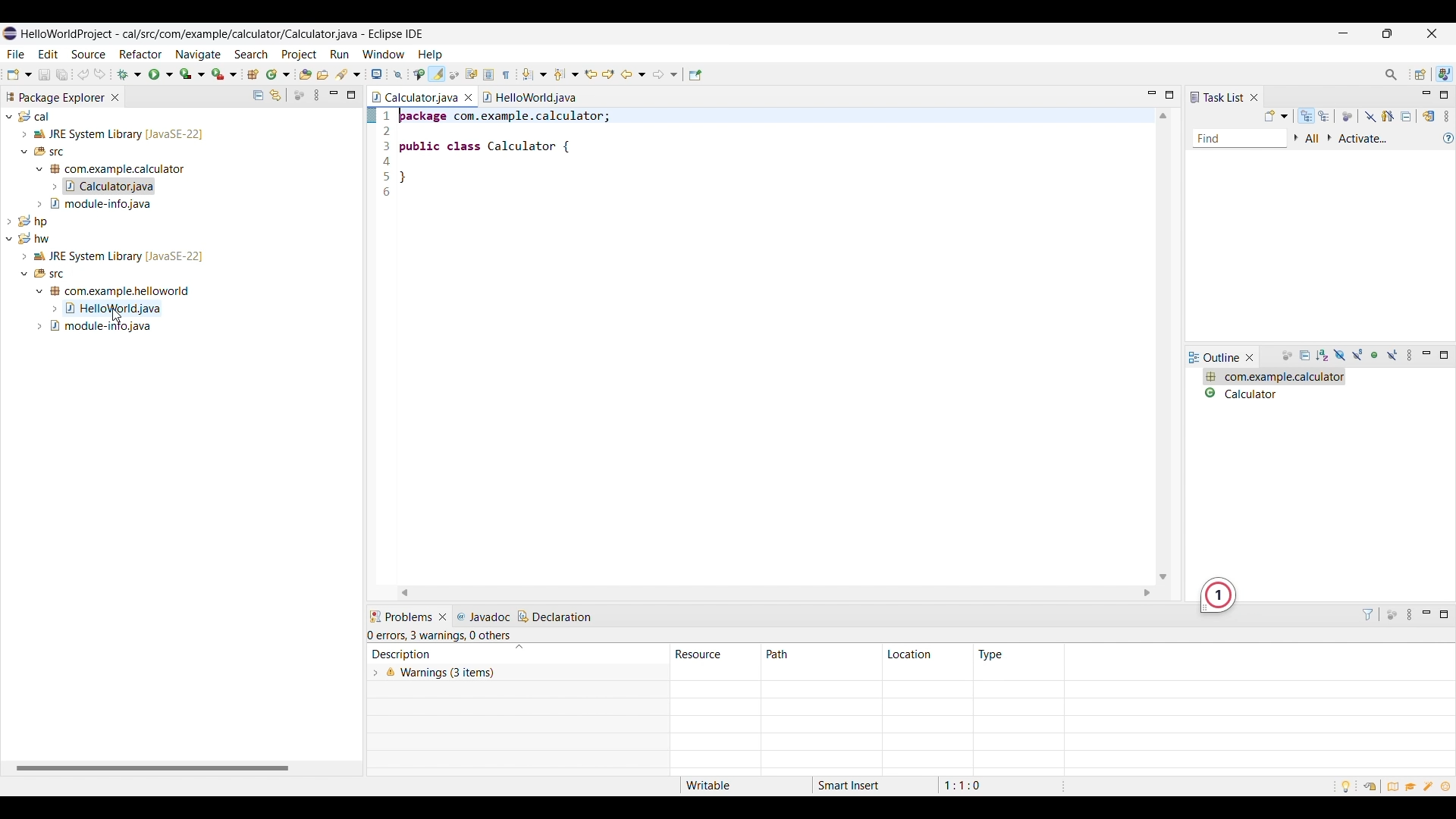 This screenshot has width=1456, height=819. What do you see at coordinates (115, 97) in the screenshot?
I see `Close tab` at bounding box center [115, 97].